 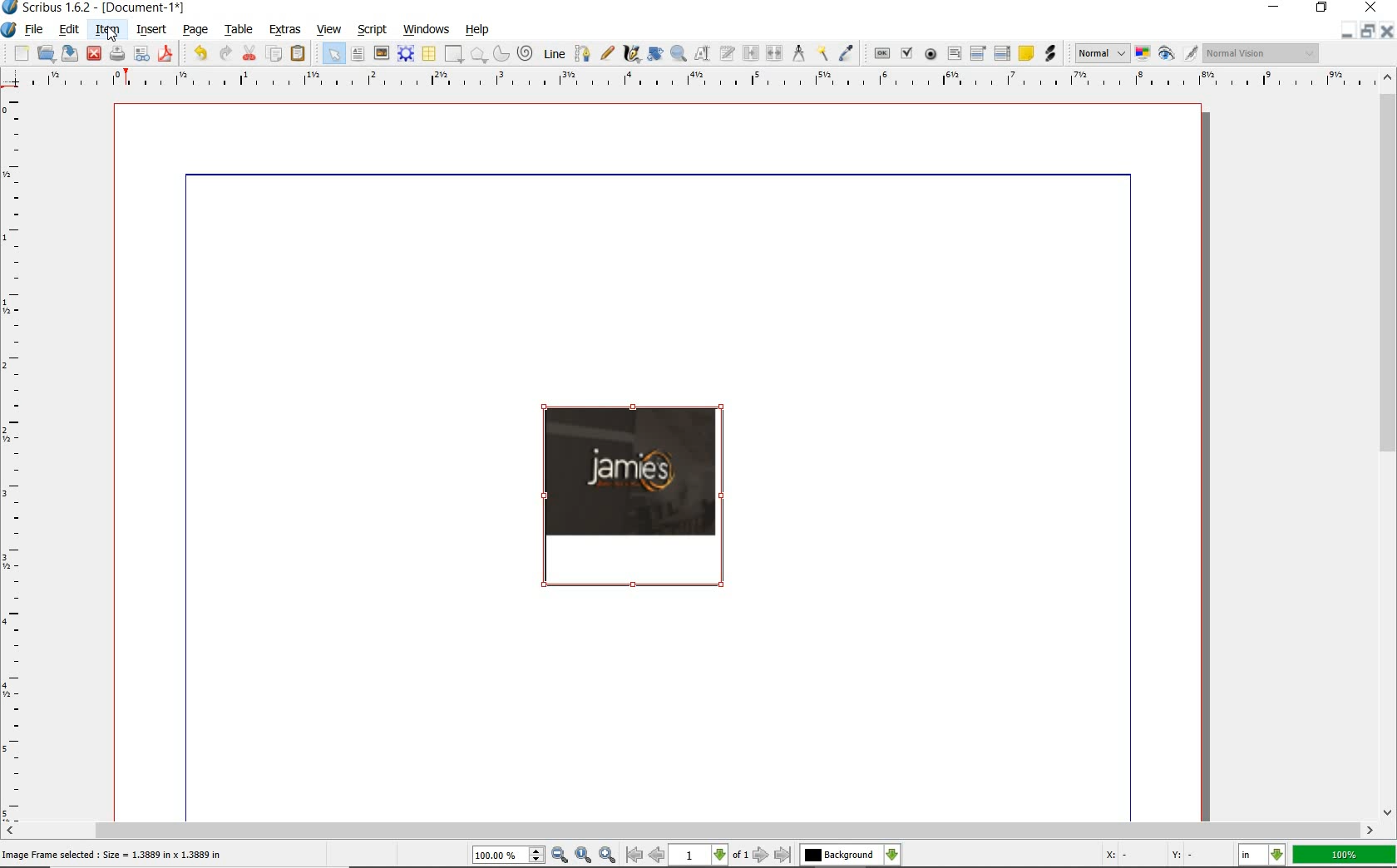 What do you see at coordinates (849, 855) in the screenshot?
I see `select the current layer` at bounding box center [849, 855].